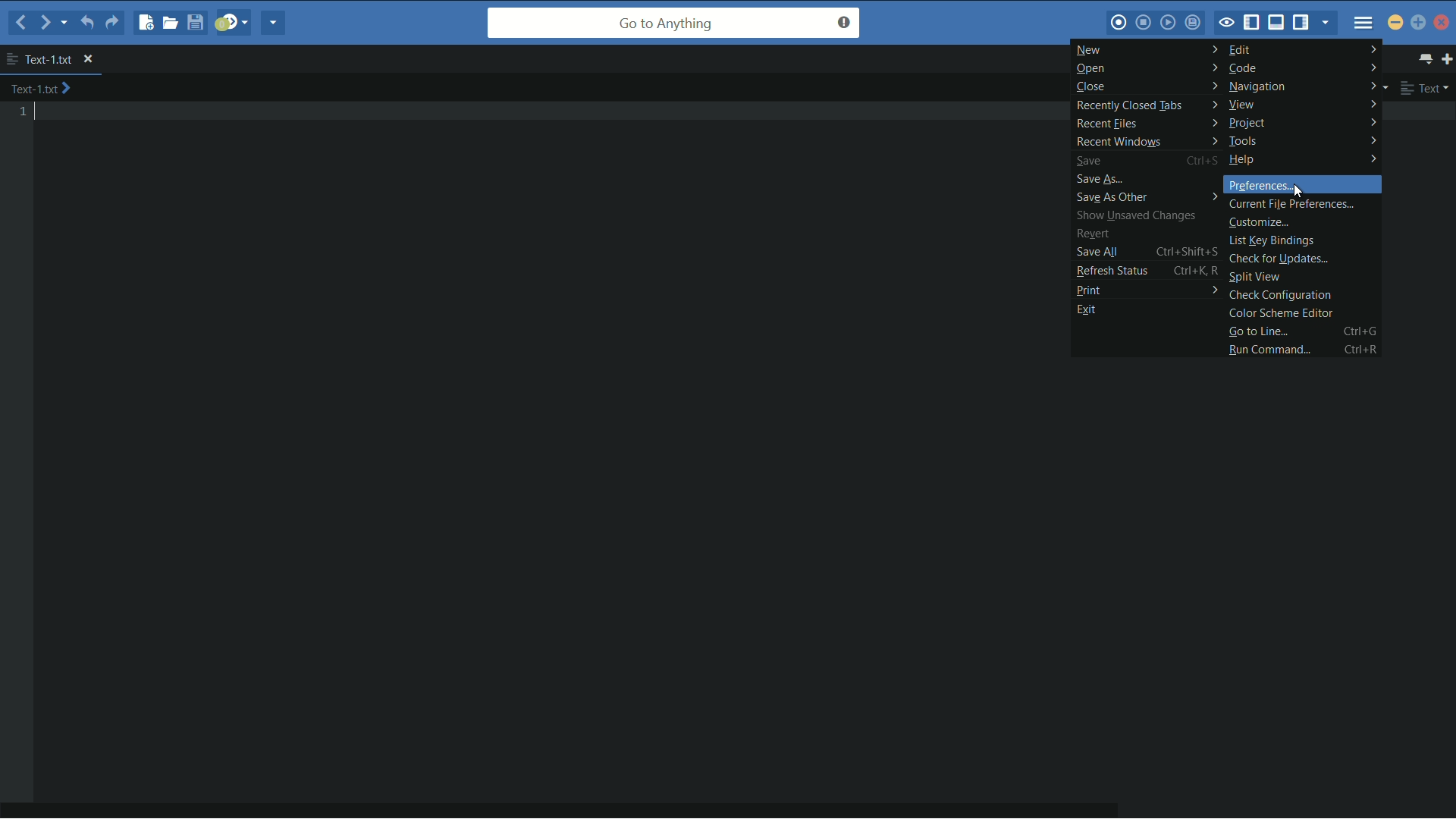 This screenshot has width=1456, height=819. I want to click on save file, so click(197, 22).